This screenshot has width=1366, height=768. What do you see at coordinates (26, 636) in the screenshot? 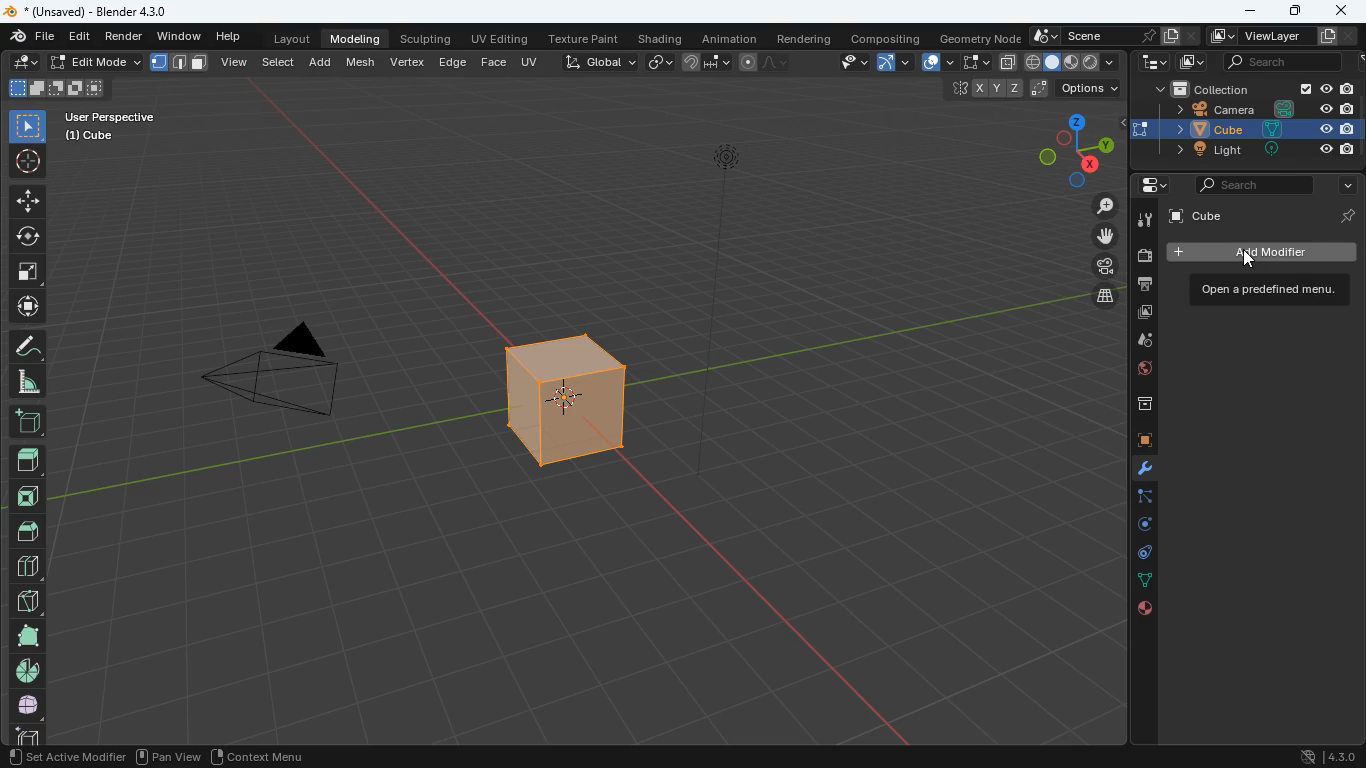
I see `full` at bounding box center [26, 636].